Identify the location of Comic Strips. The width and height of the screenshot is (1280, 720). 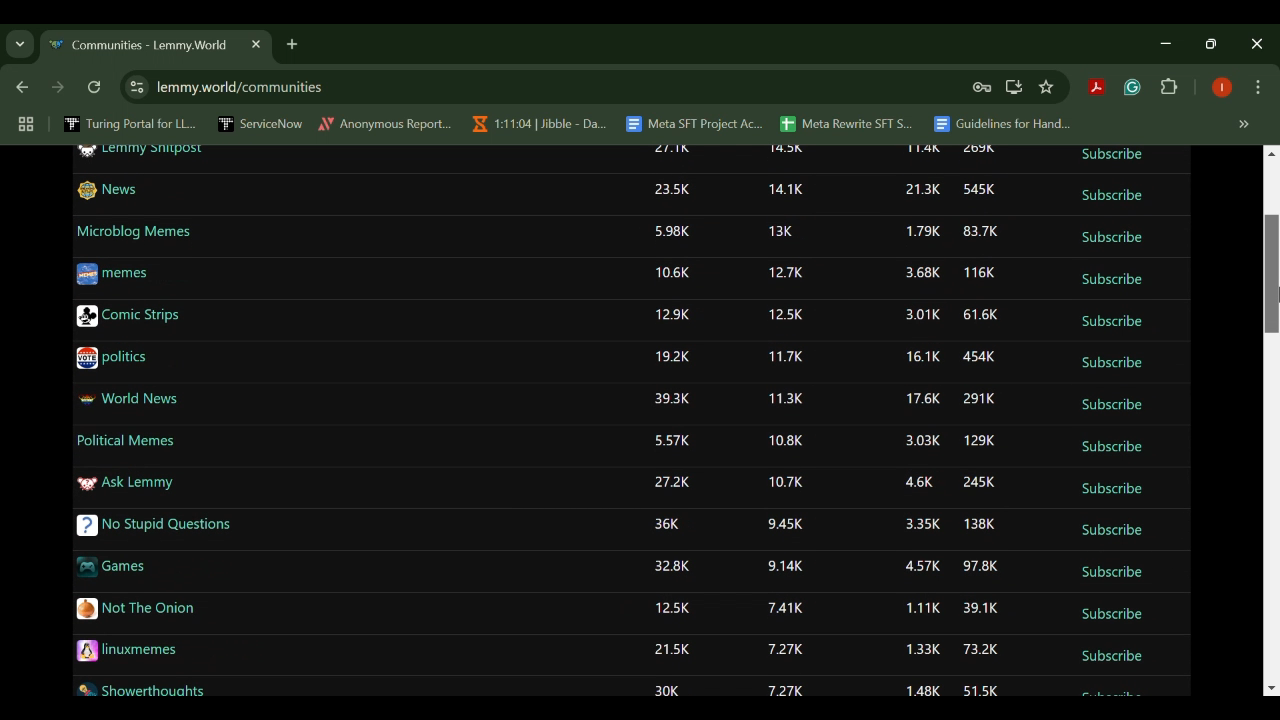
(126, 317).